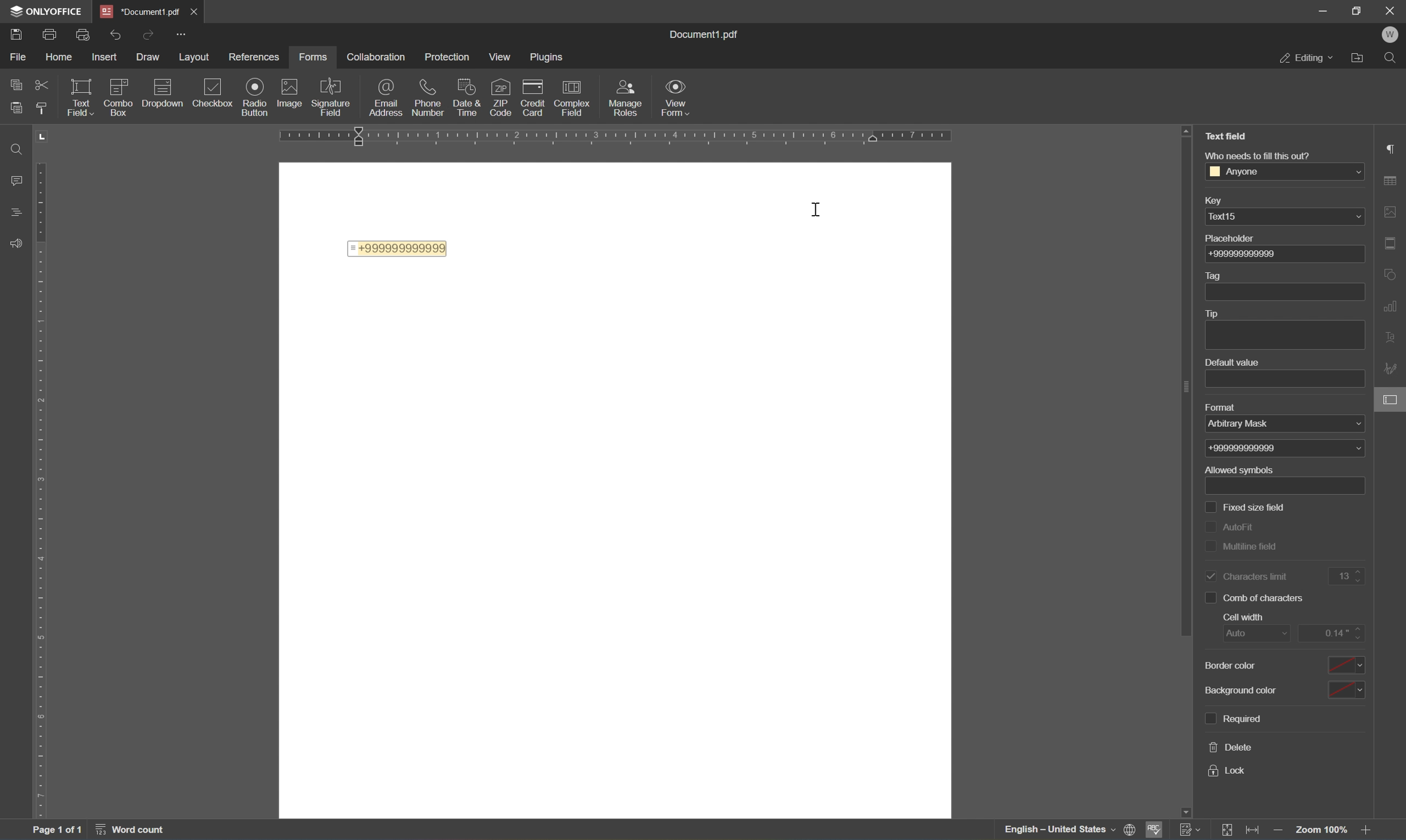 This screenshot has width=1406, height=840. Describe the element at coordinates (58, 59) in the screenshot. I see `home` at that location.